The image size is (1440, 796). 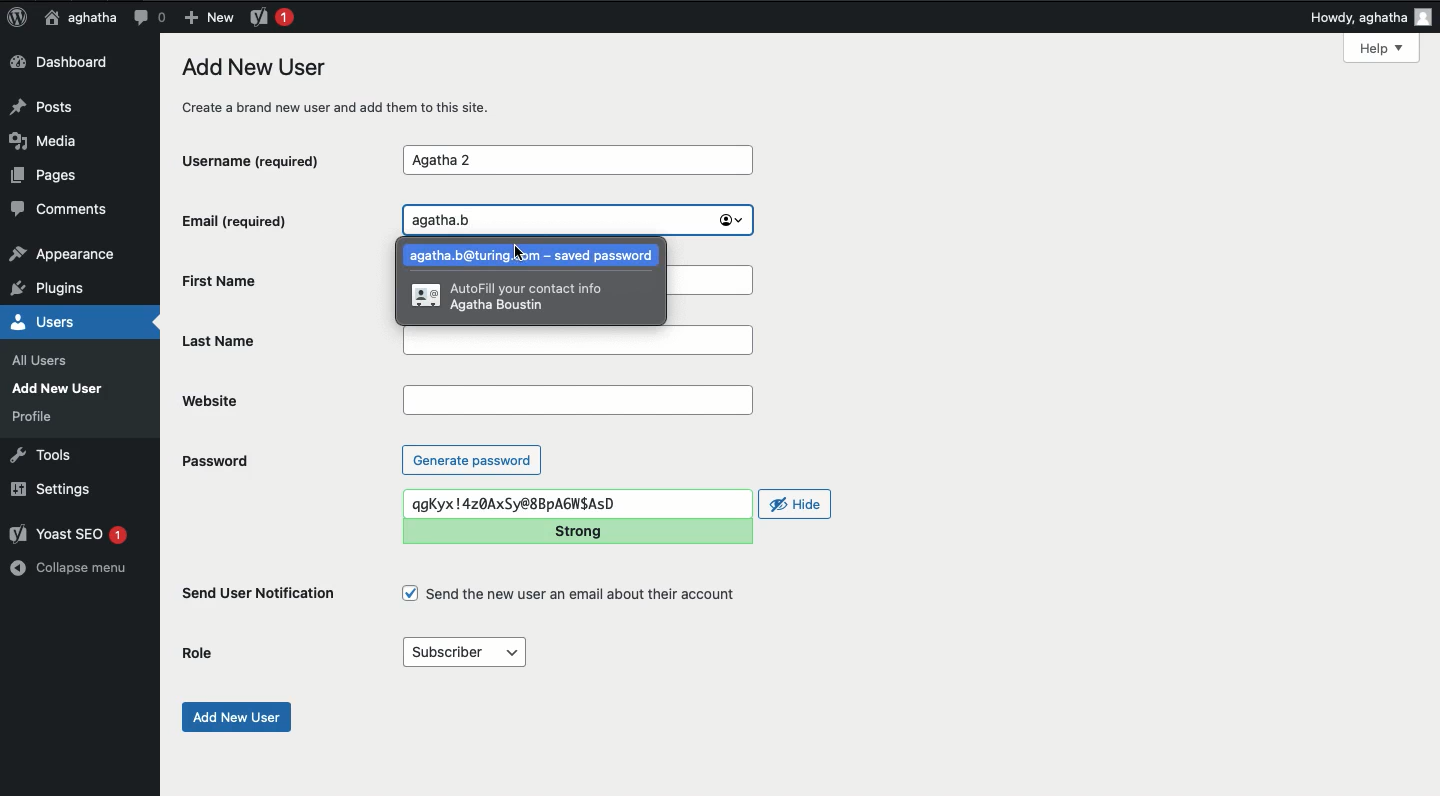 What do you see at coordinates (214, 461) in the screenshot?
I see `Password` at bounding box center [214, 461].